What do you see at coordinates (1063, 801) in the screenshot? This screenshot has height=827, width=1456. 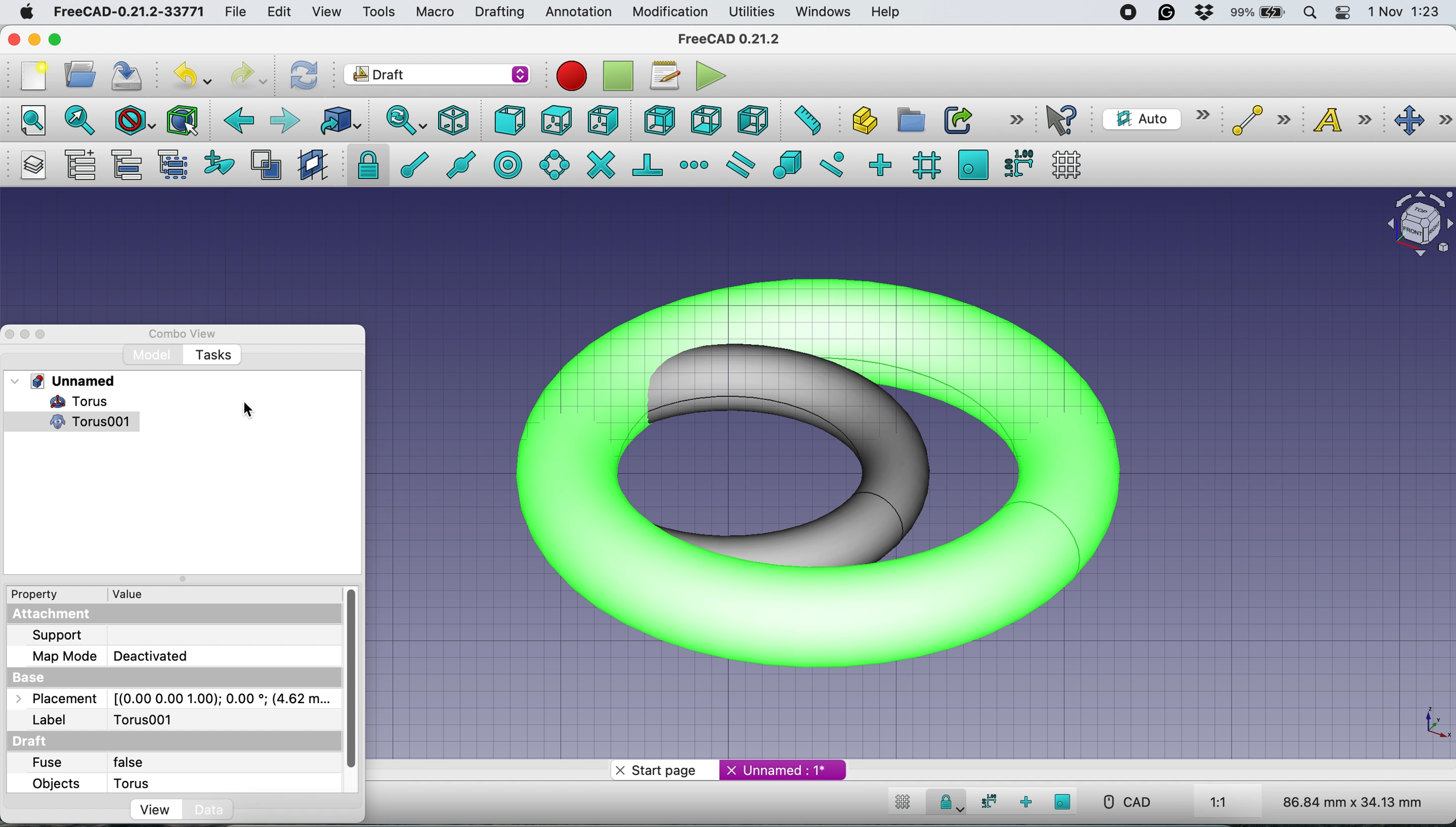 I see `snap working plane` at bounding box center [1063, 801].